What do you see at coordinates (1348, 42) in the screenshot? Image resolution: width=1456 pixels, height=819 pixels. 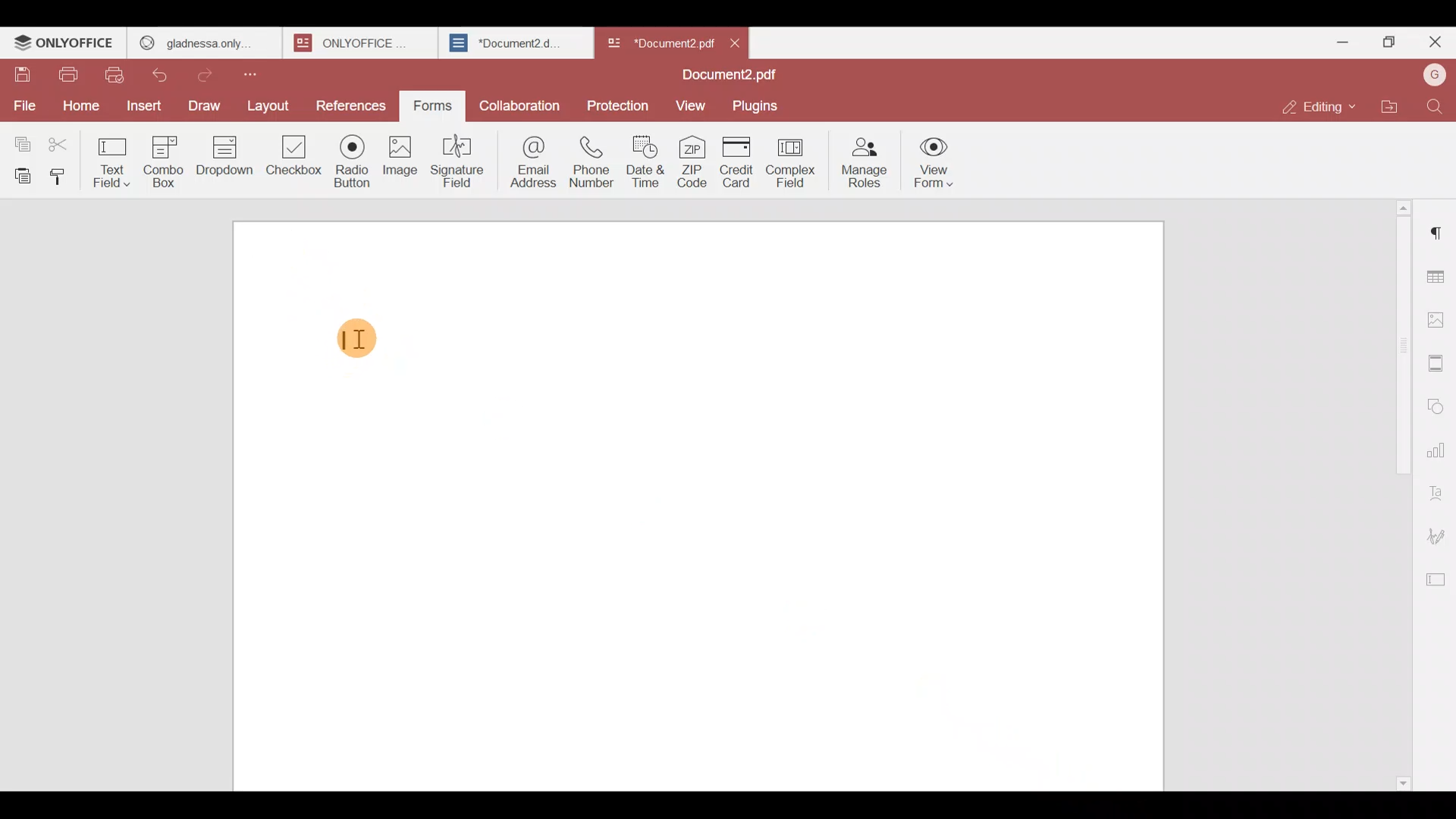 I see `Minimize` at bounding box center [1348, 42].